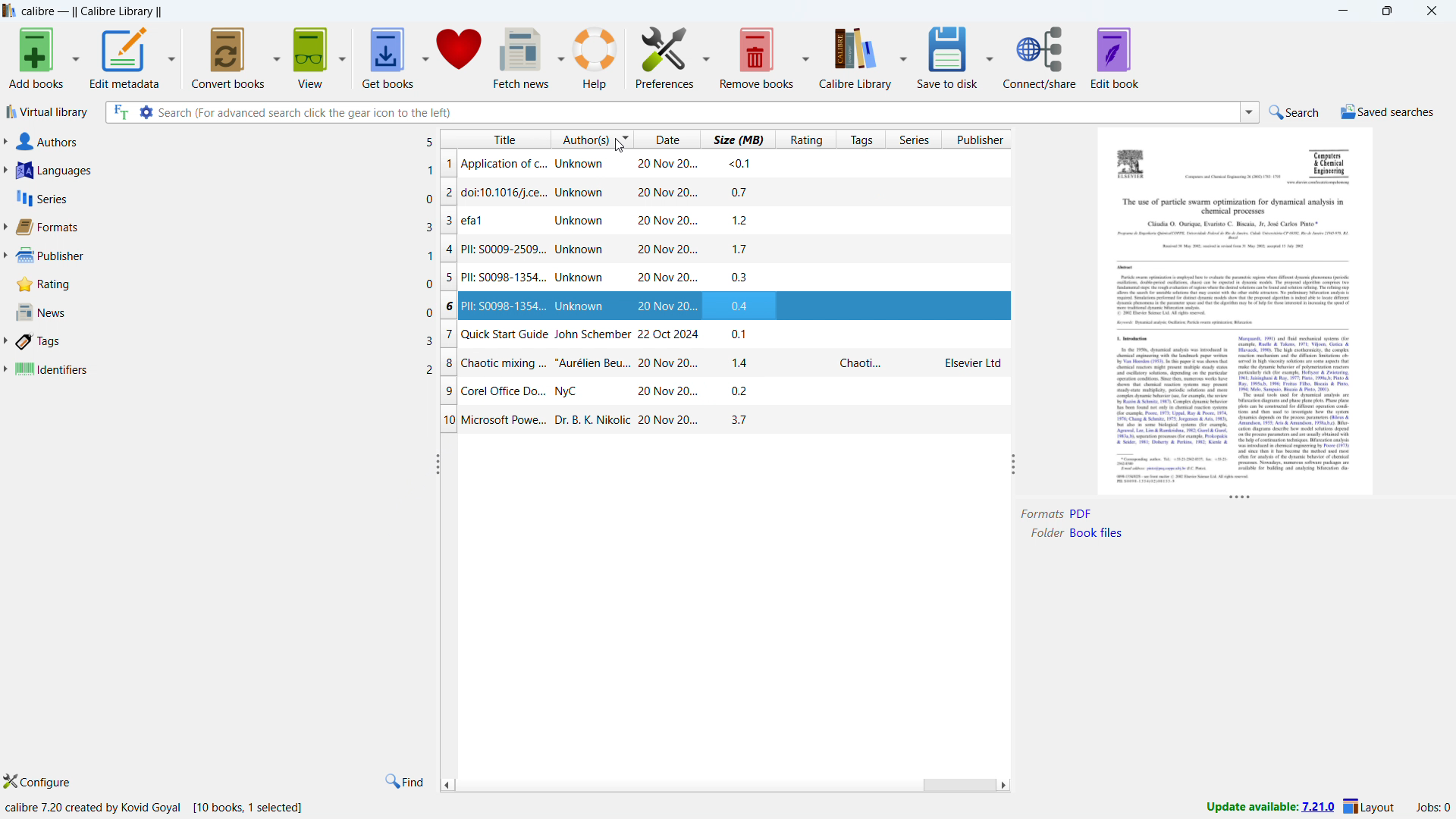  What do you see at coordinates (1369, 805) in the screenshot?
I see `layout` at bounding box center [1369, 805].